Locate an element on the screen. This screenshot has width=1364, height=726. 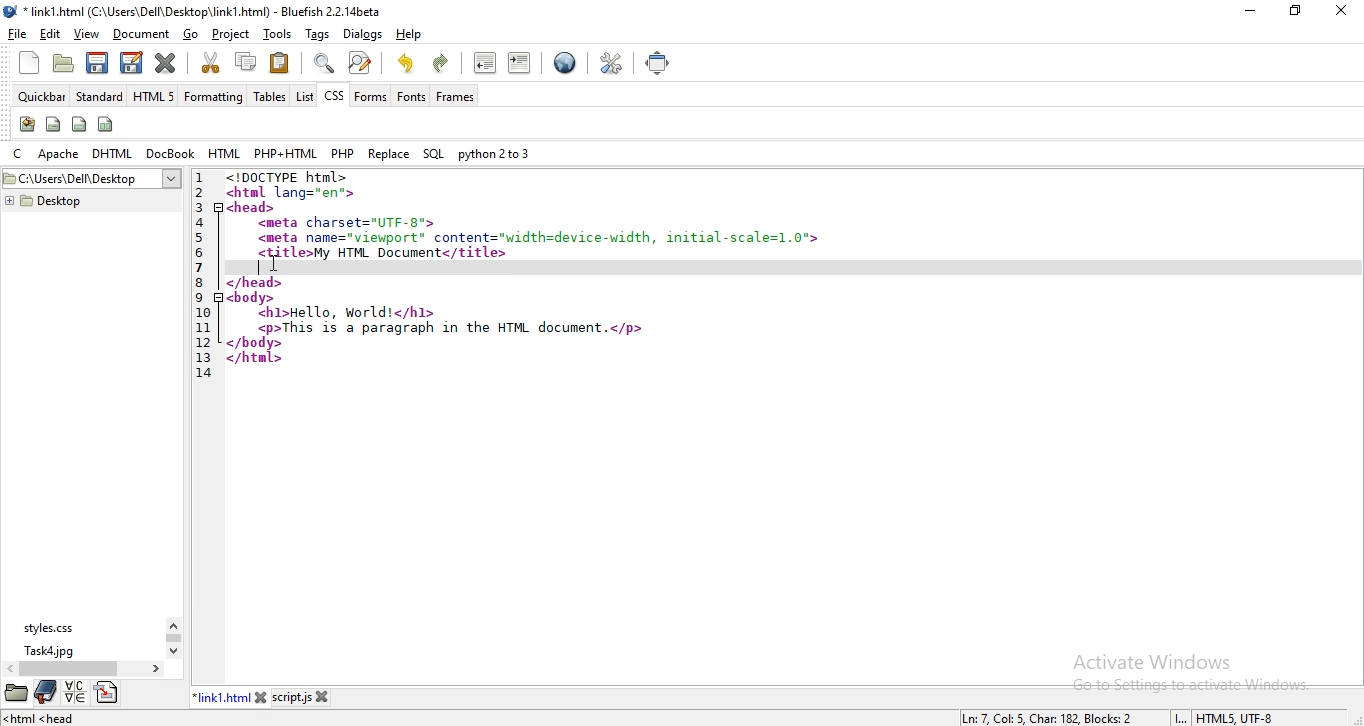
14 is located at coordinates (204, 374).